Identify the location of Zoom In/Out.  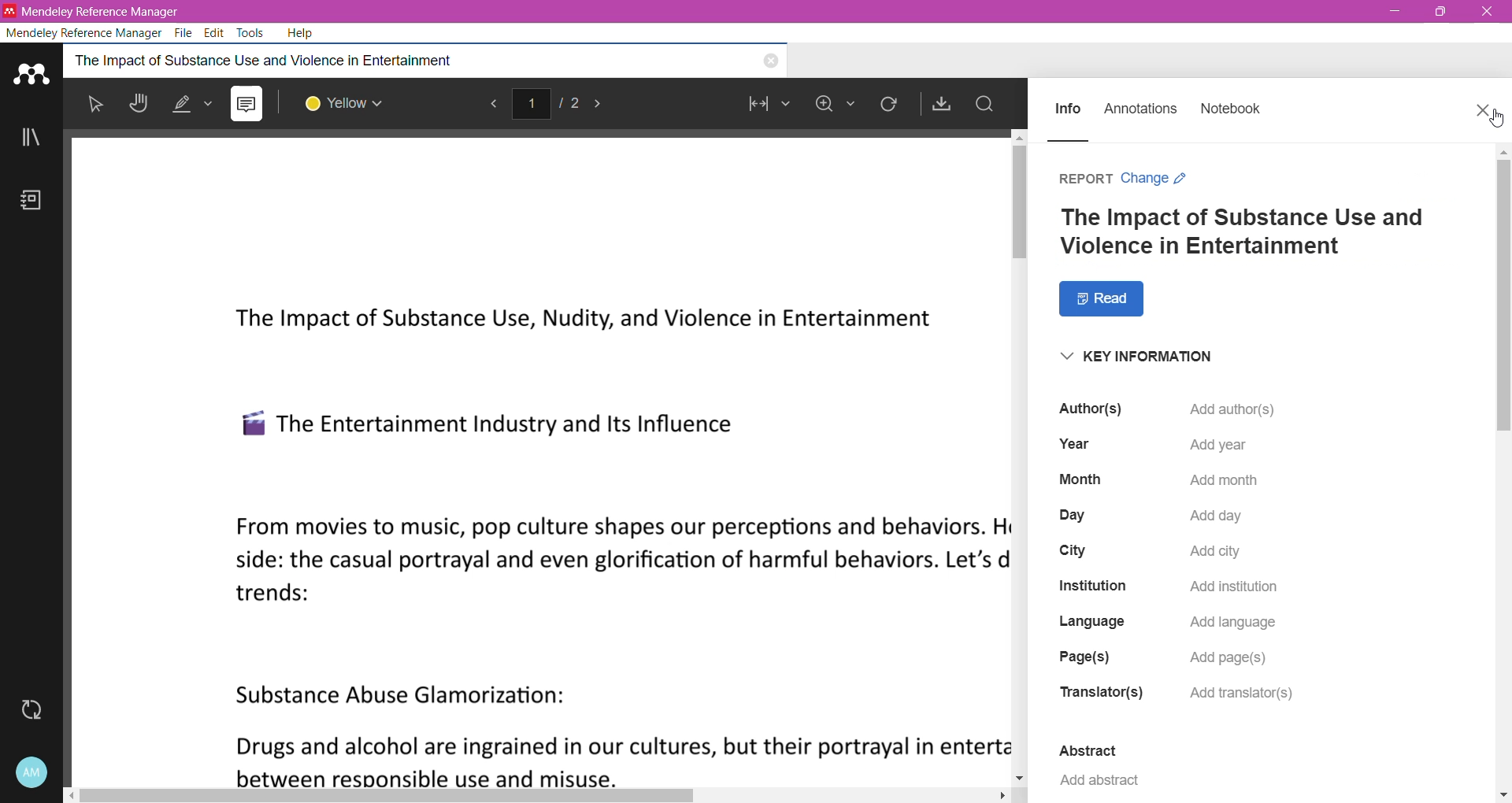
(834, 106).